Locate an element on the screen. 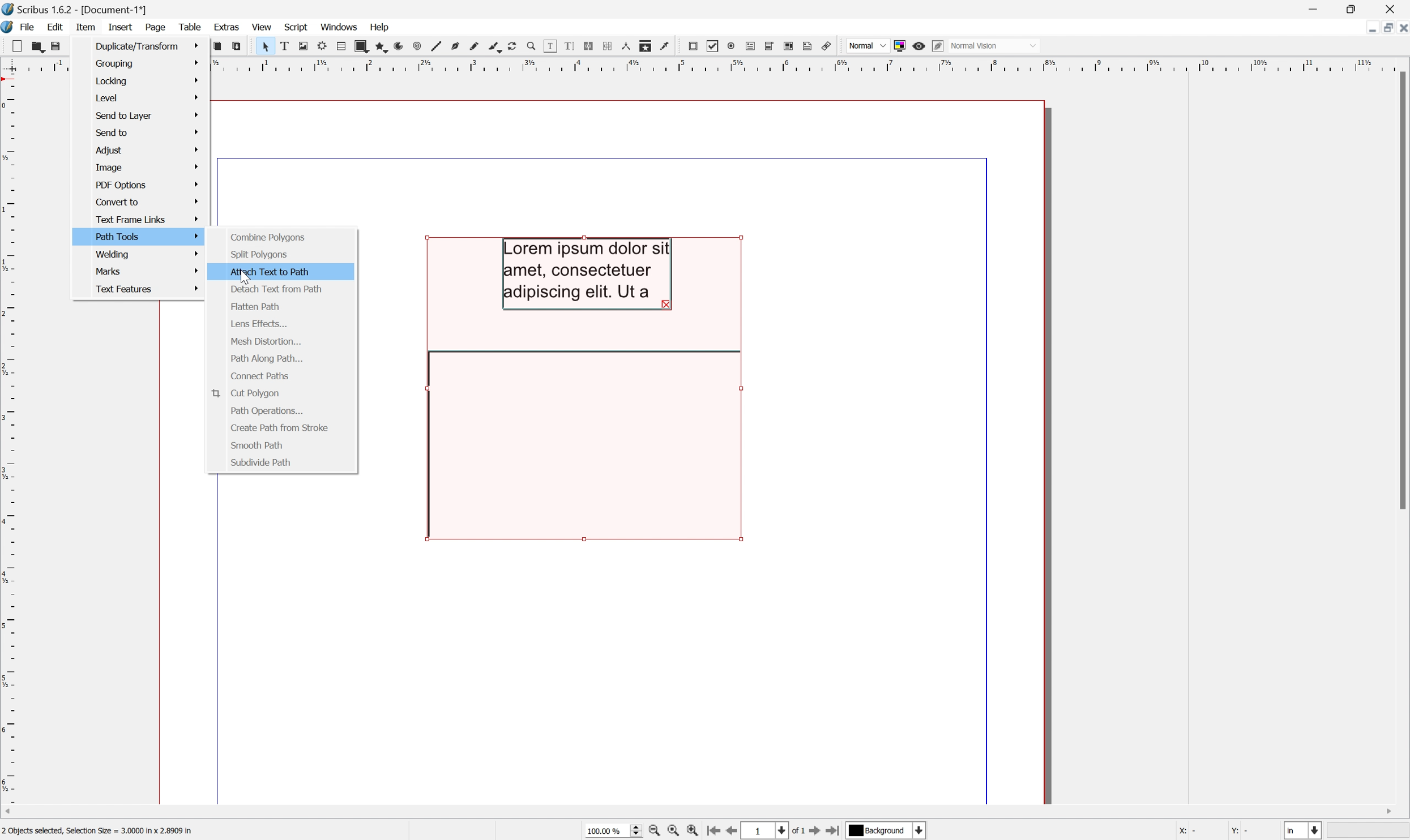 This screenshot has width=1410, height=840. Insert is located at coordinates (119, 26).